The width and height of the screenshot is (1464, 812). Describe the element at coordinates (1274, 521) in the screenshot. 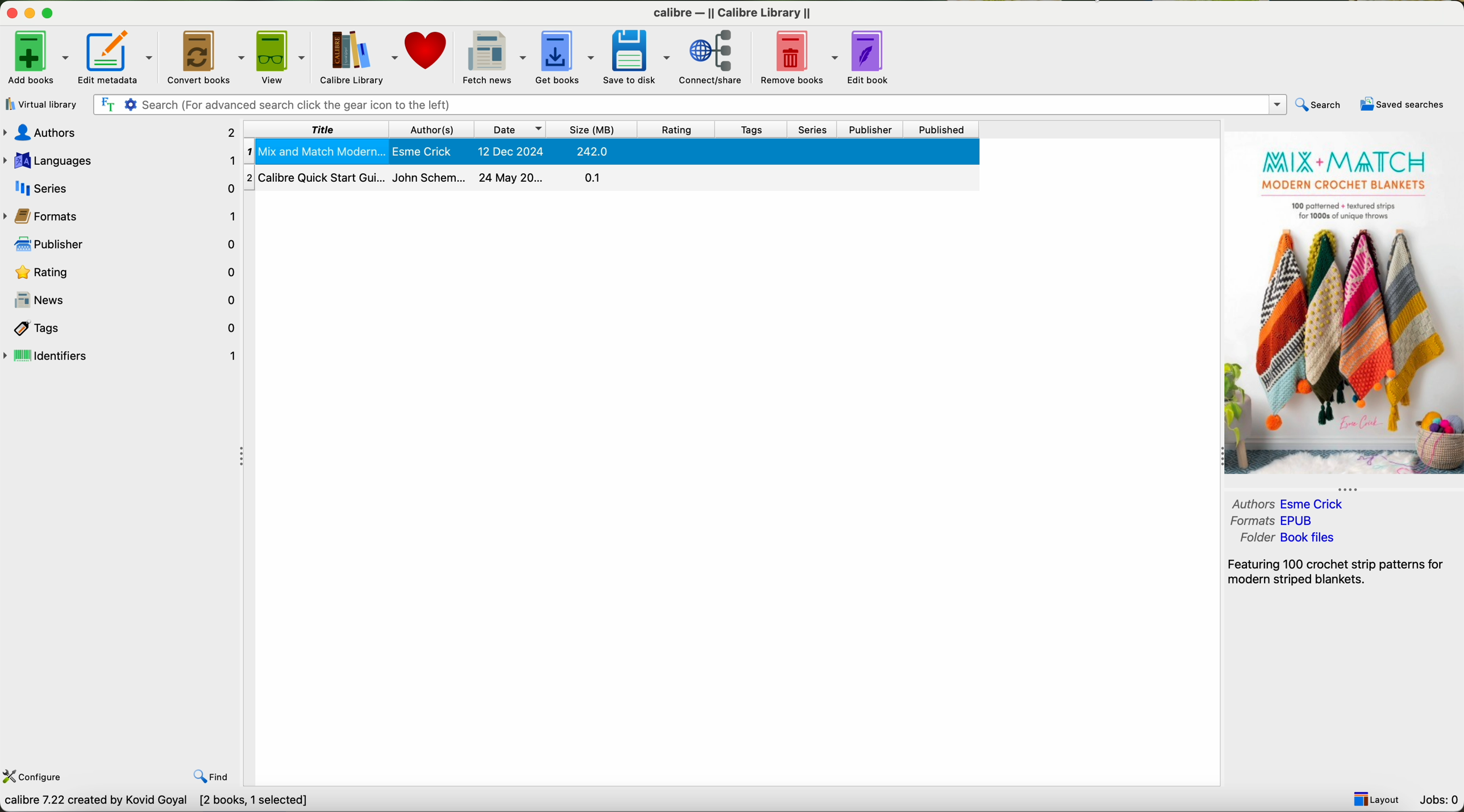

I see `formats` at that location.